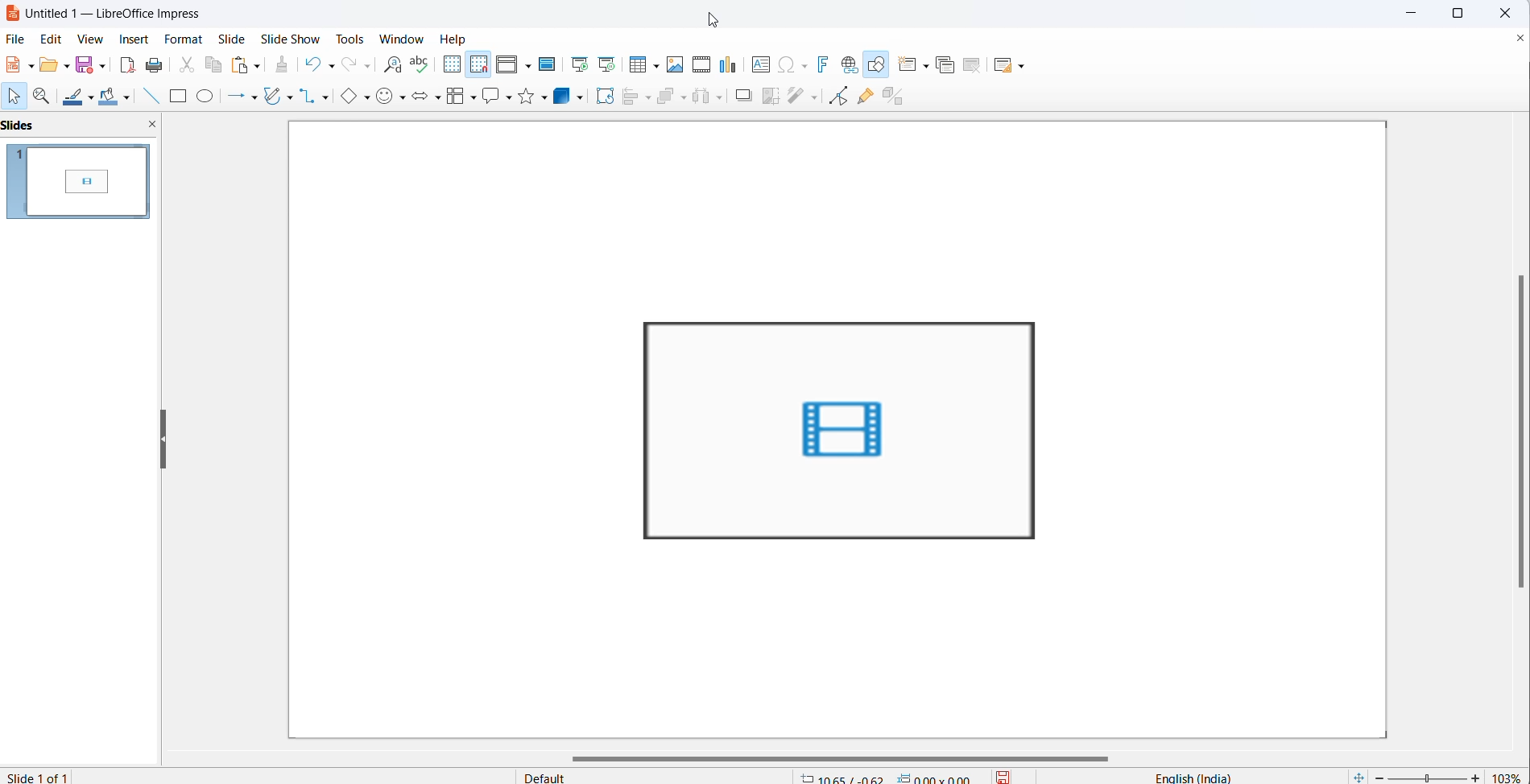  Describe the element at coordinates (879, 65) in the screenshot. I see `draw shapes tool` at that location.